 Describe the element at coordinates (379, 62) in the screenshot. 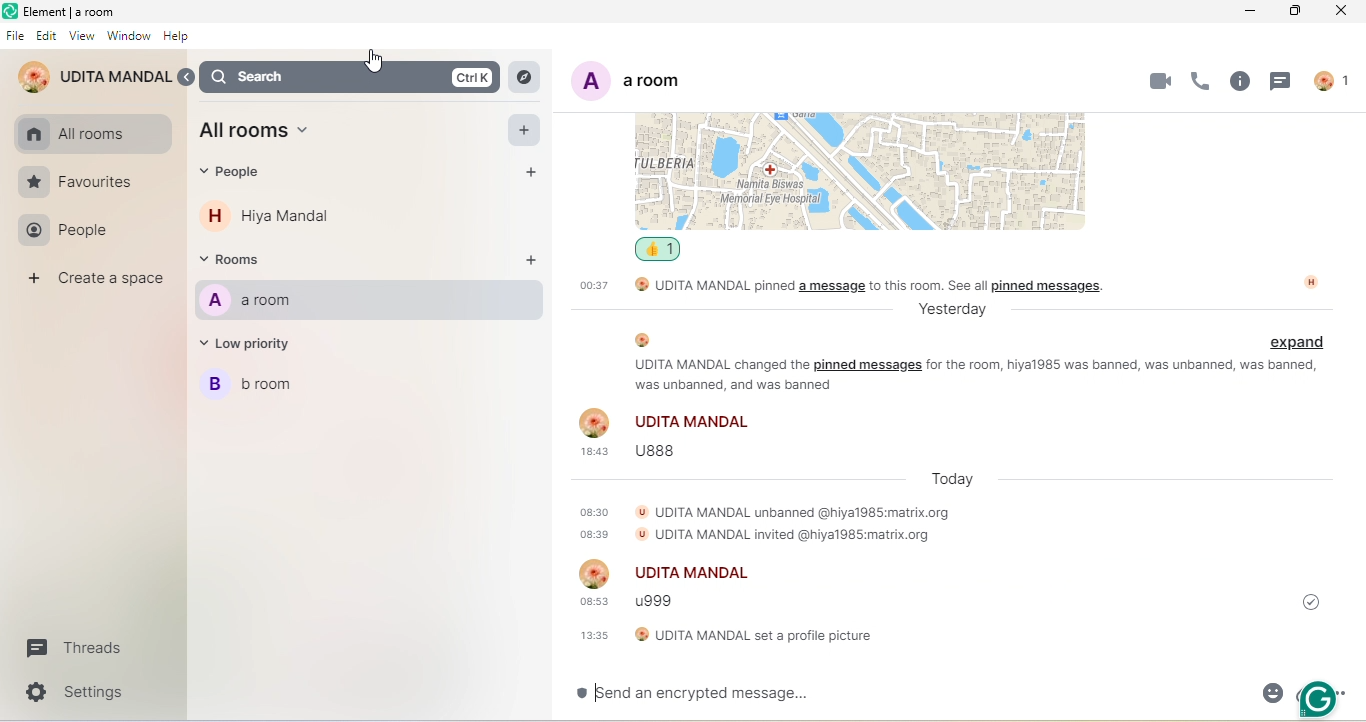

I see `Cursor` at that location.